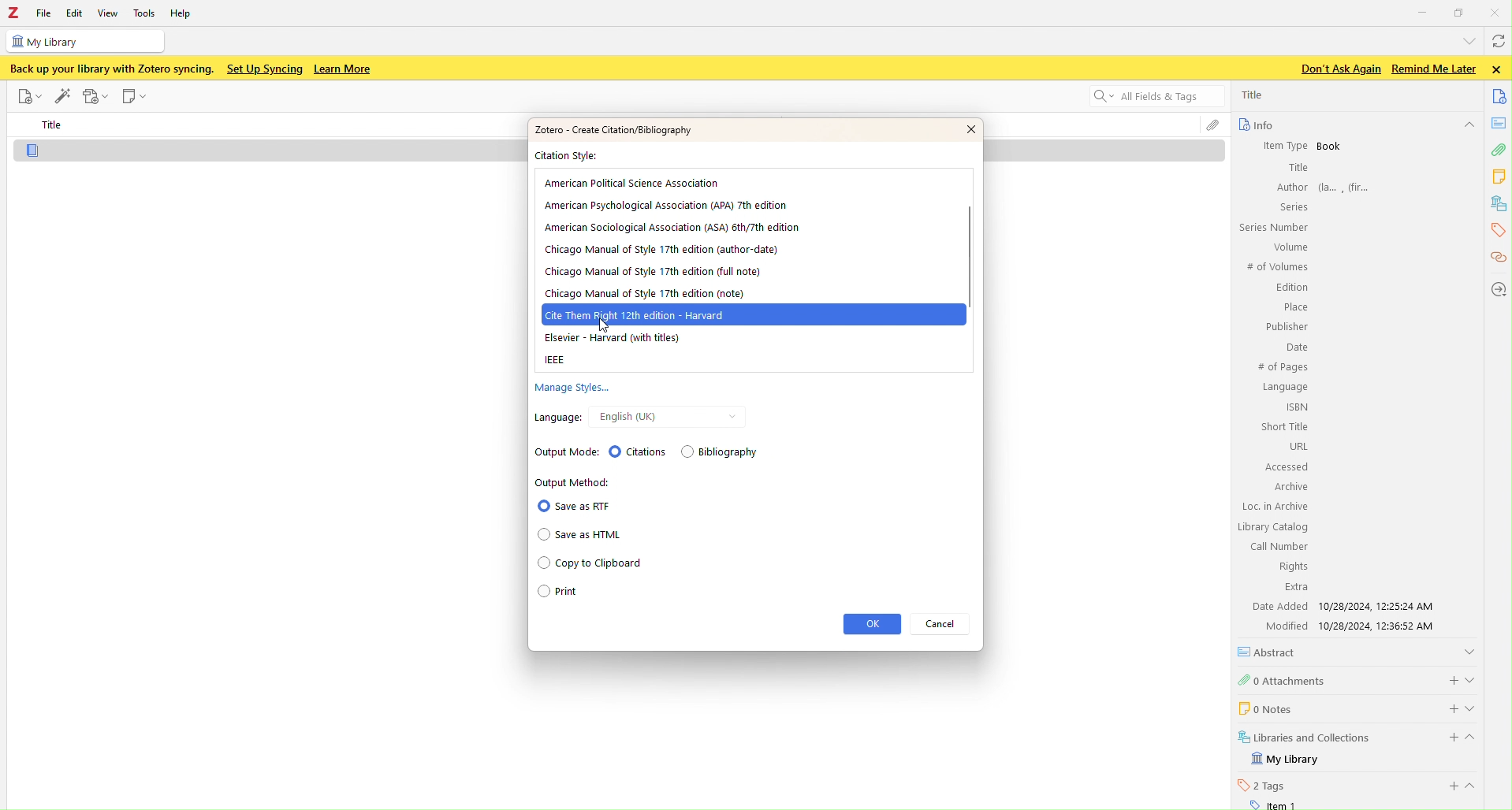  I want to click on Copy to Clipboard, so click(589, 564).